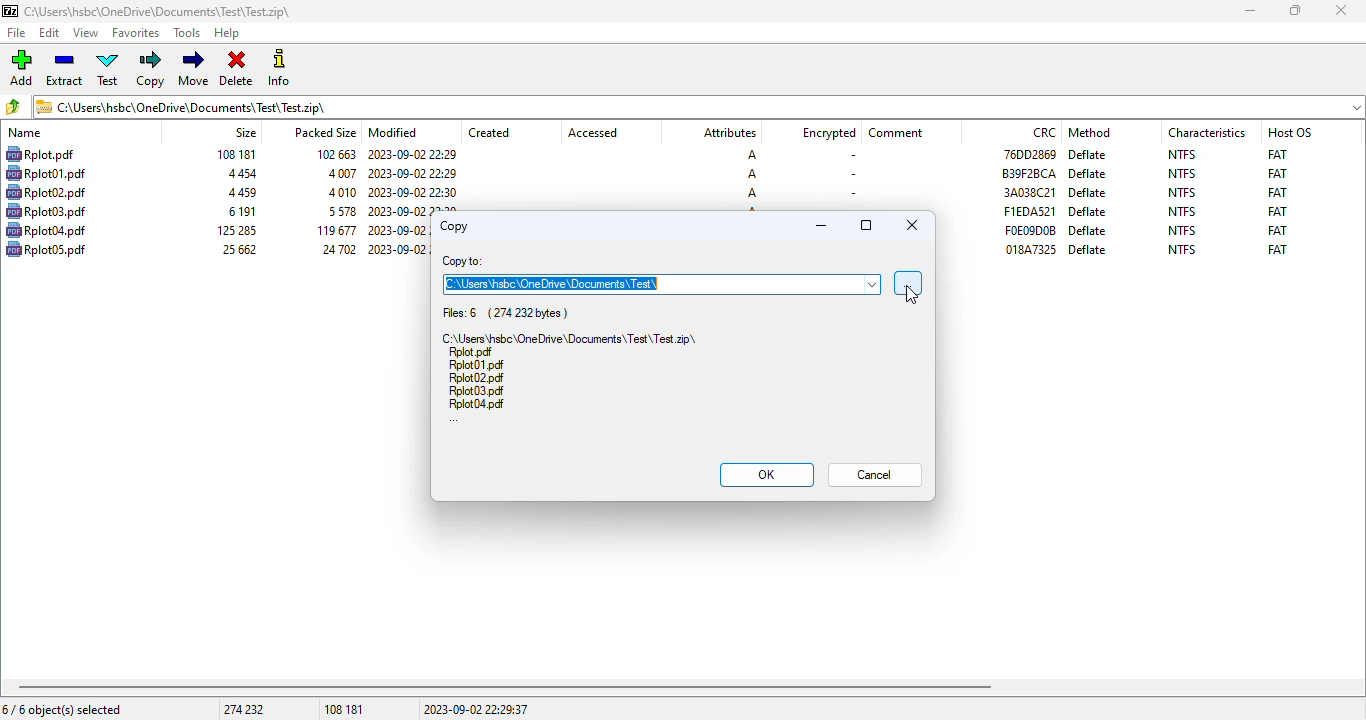 The width and height of the screenshot is (1366, 720). What do you see at coordinates (136, 33) in the screenshot?
I see `favorites` at bounding box center [136, 33].